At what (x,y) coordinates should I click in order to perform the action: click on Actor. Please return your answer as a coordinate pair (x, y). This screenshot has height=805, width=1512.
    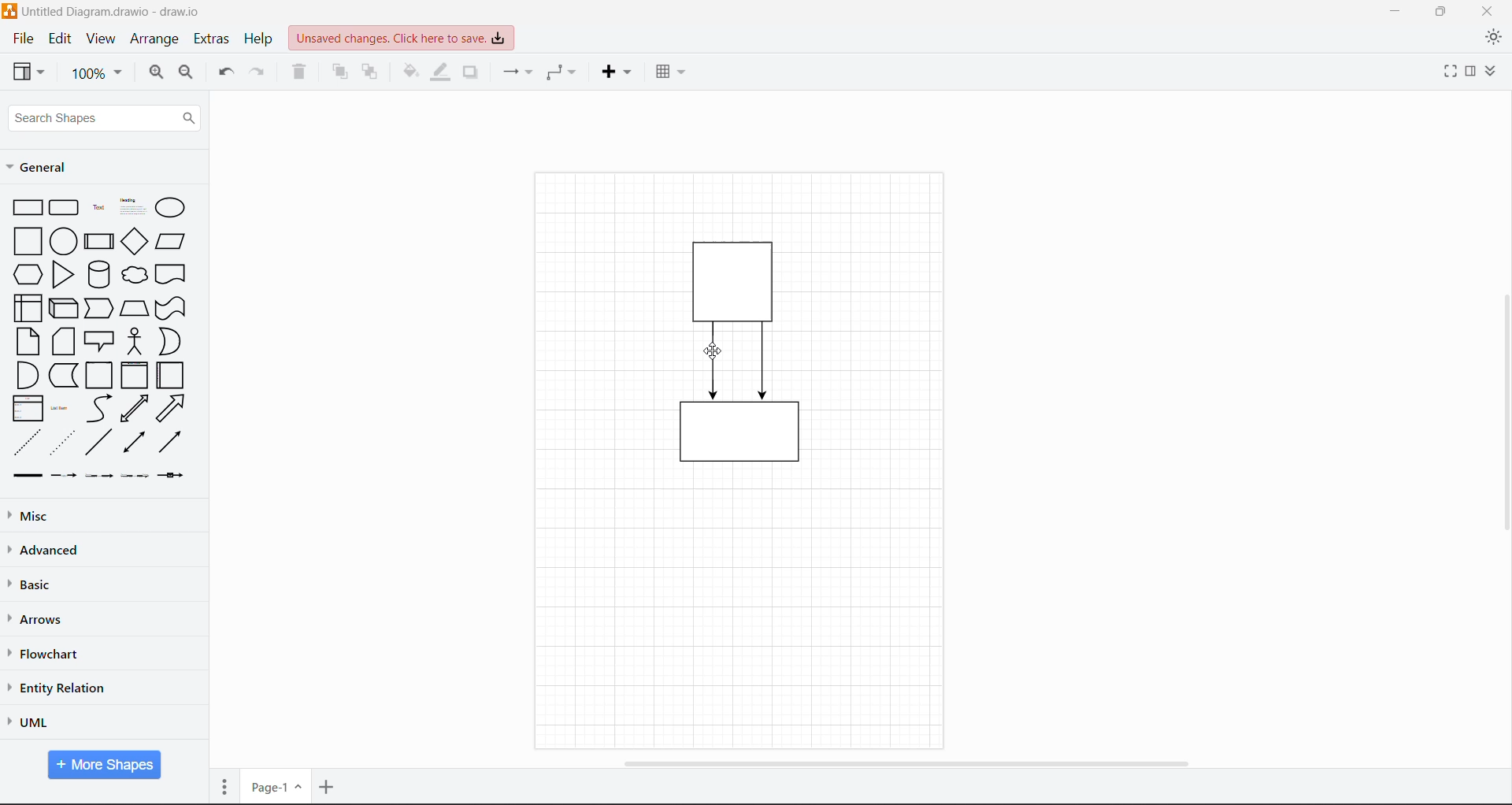
    Looking at the image, I should click on (134, 340).